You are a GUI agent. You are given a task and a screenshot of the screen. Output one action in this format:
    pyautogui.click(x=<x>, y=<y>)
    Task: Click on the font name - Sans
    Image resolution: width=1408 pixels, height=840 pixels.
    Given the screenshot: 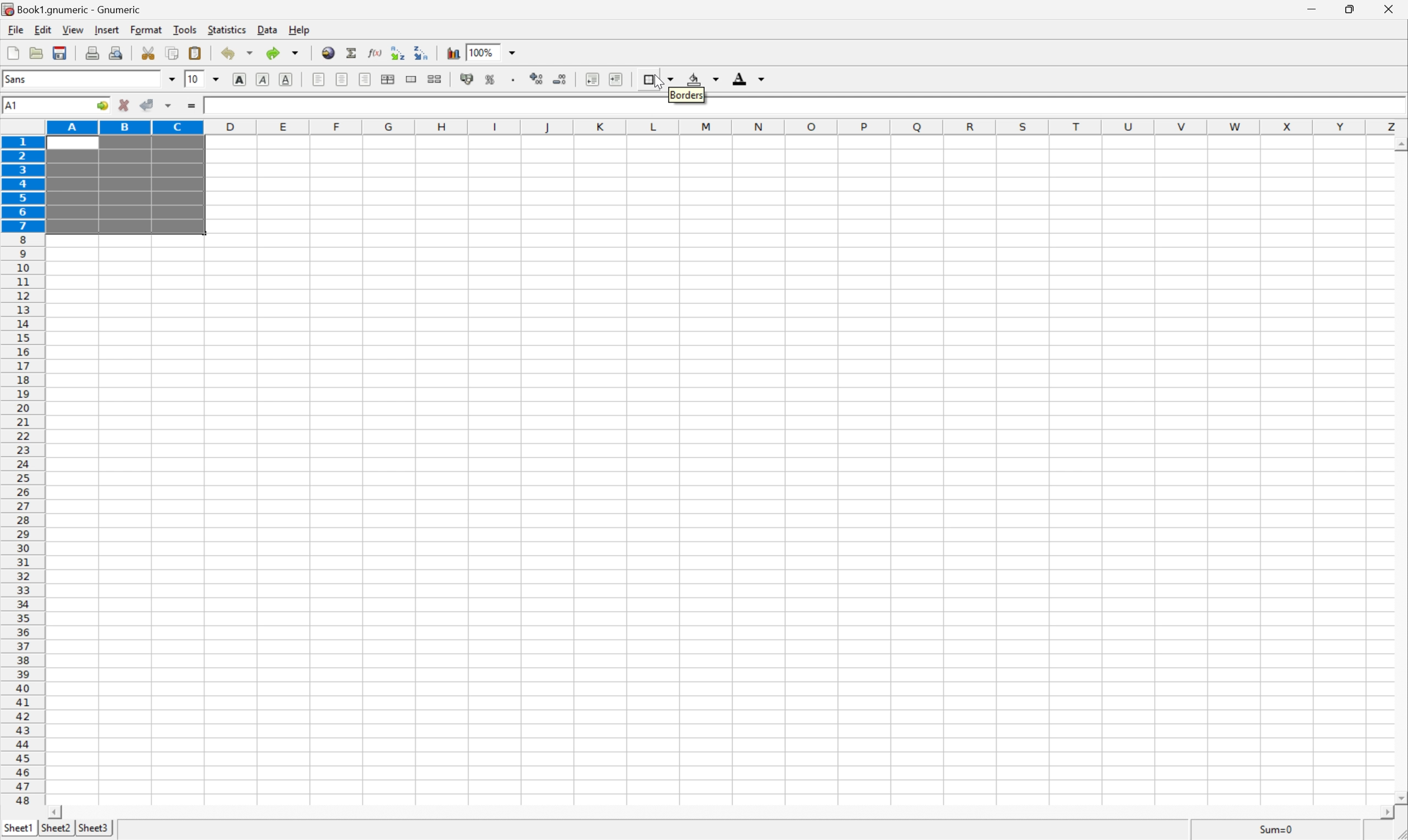 What is the action you would take?
    pyautogui.click(x=87, y=80)
    